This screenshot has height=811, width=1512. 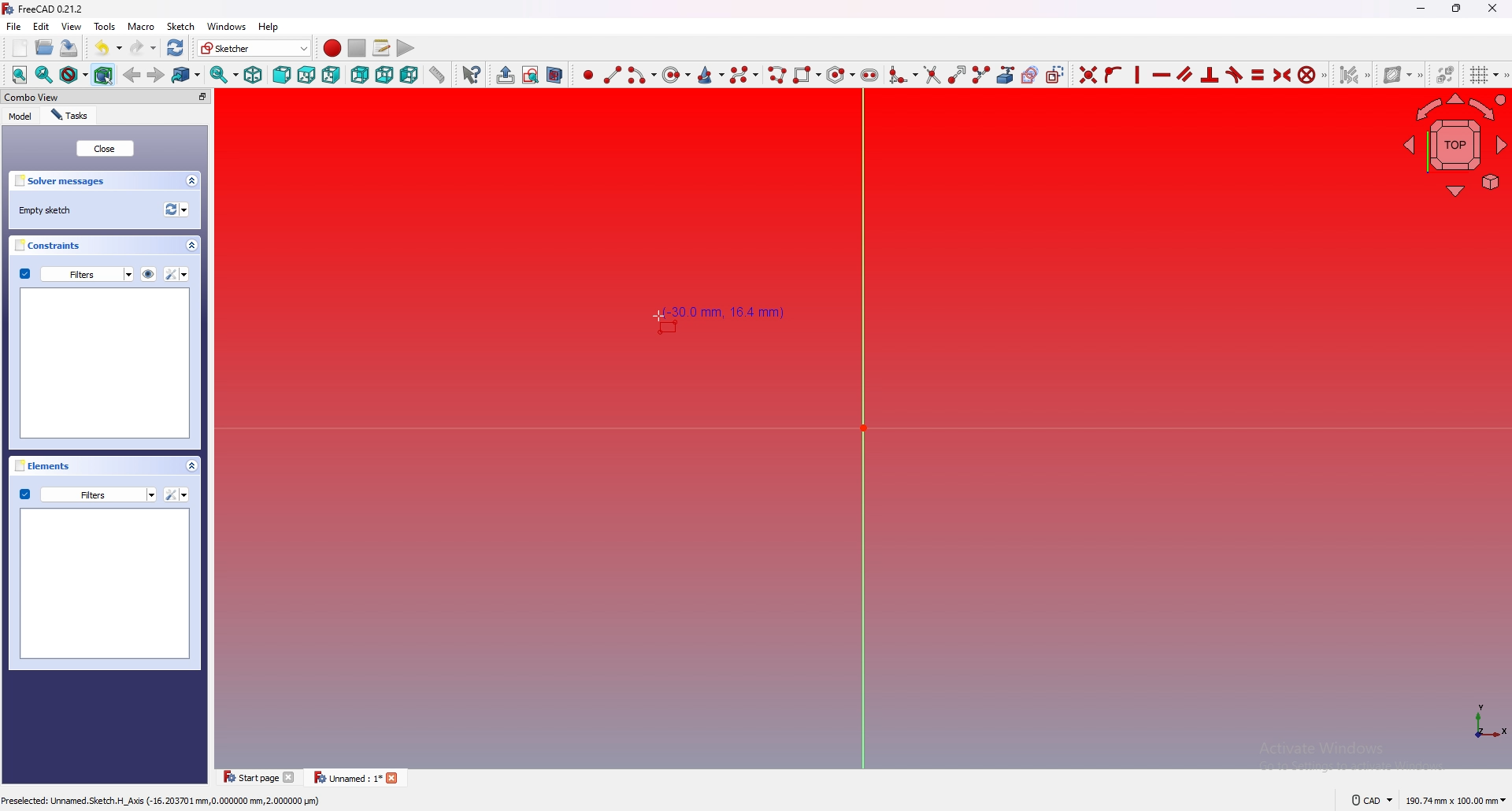 What do you see at coordinates (555, 76) in the screenshot?
I see `view section` at bounding box center [555, 76].